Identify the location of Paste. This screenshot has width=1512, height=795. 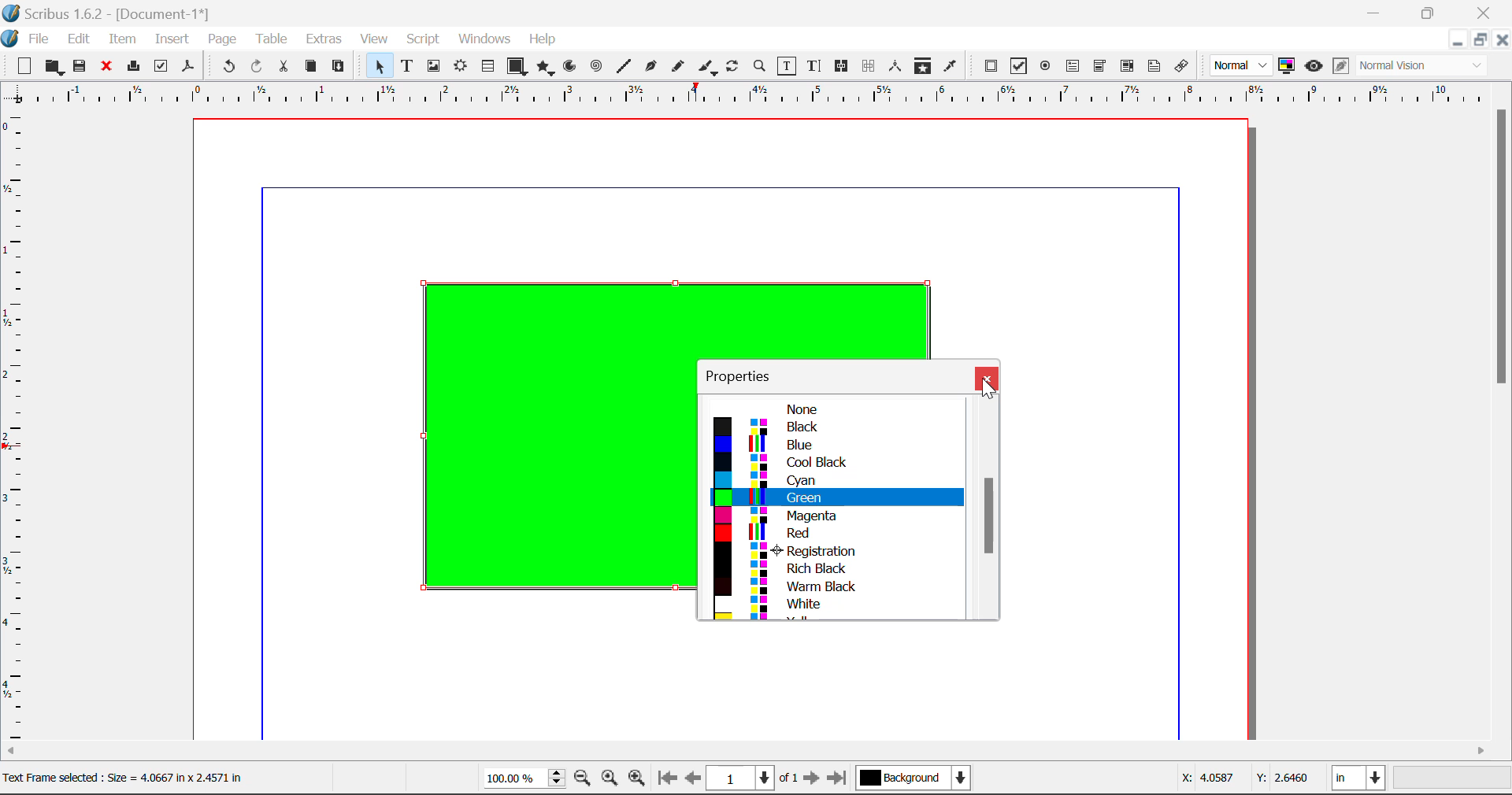
(339, 67).